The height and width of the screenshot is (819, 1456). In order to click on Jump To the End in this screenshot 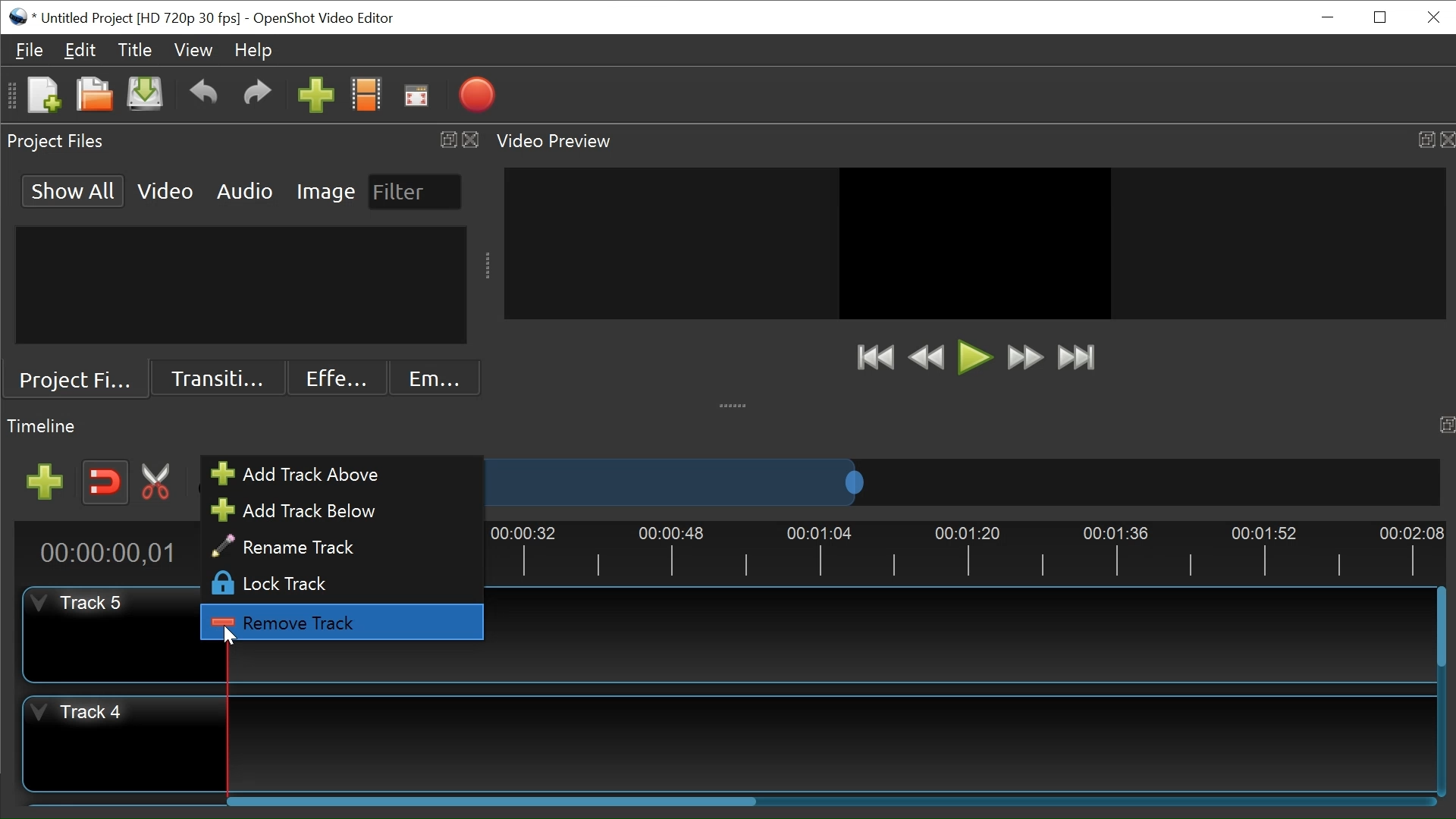, I will do `click(1077, 357)`.